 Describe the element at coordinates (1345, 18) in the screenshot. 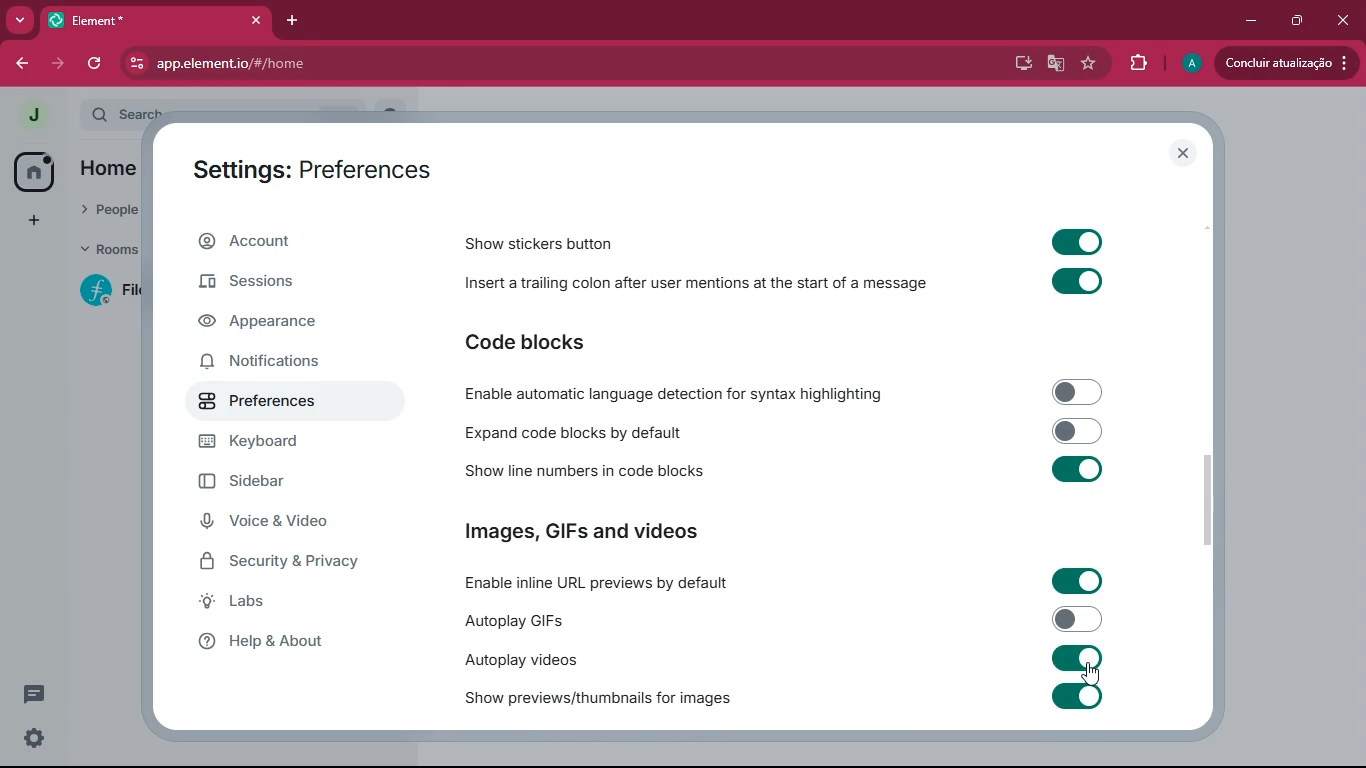

I see `close` at that location.